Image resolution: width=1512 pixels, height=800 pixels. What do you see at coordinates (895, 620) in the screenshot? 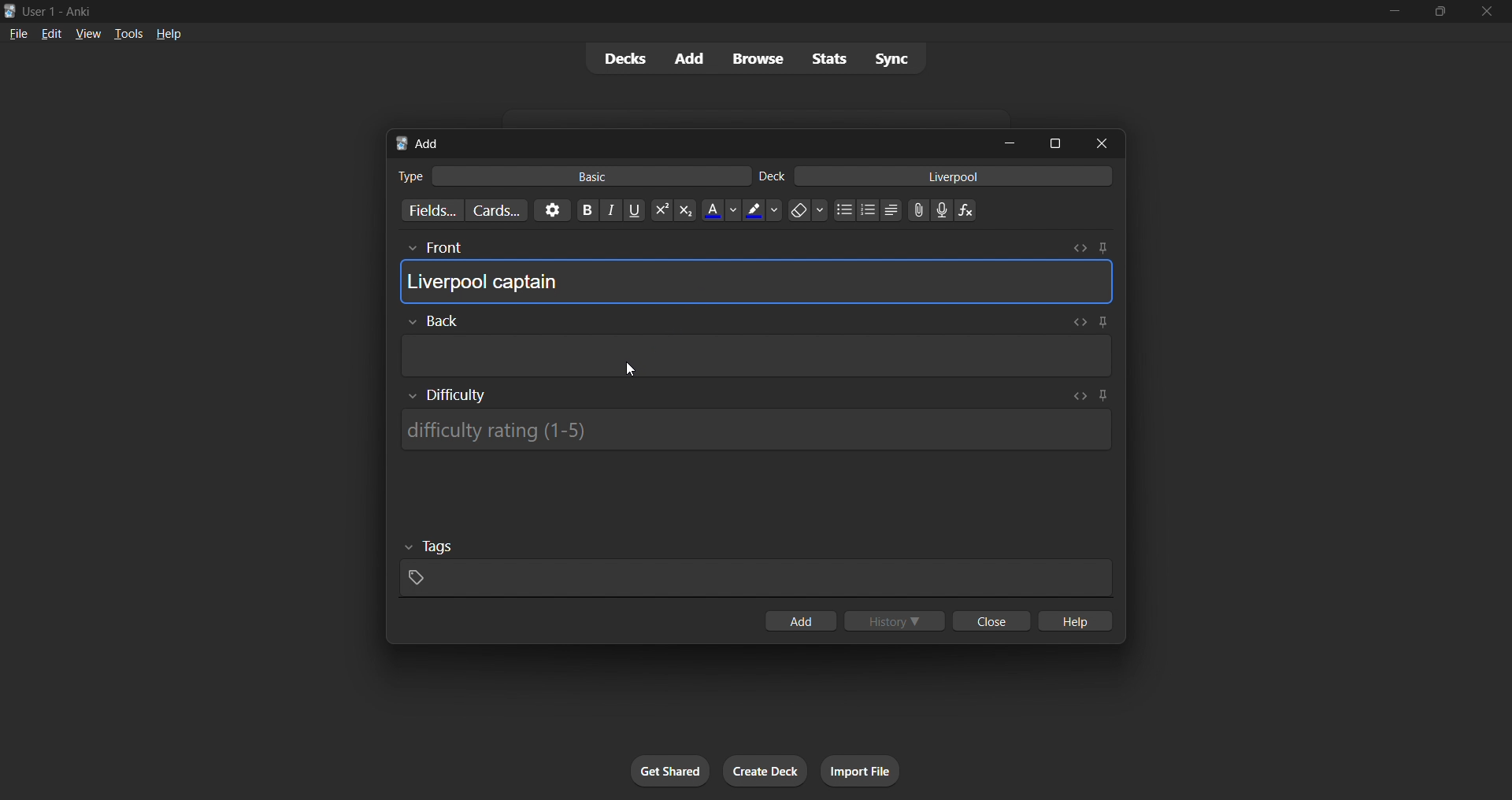
I see `history` at bounding box center [895, 620].